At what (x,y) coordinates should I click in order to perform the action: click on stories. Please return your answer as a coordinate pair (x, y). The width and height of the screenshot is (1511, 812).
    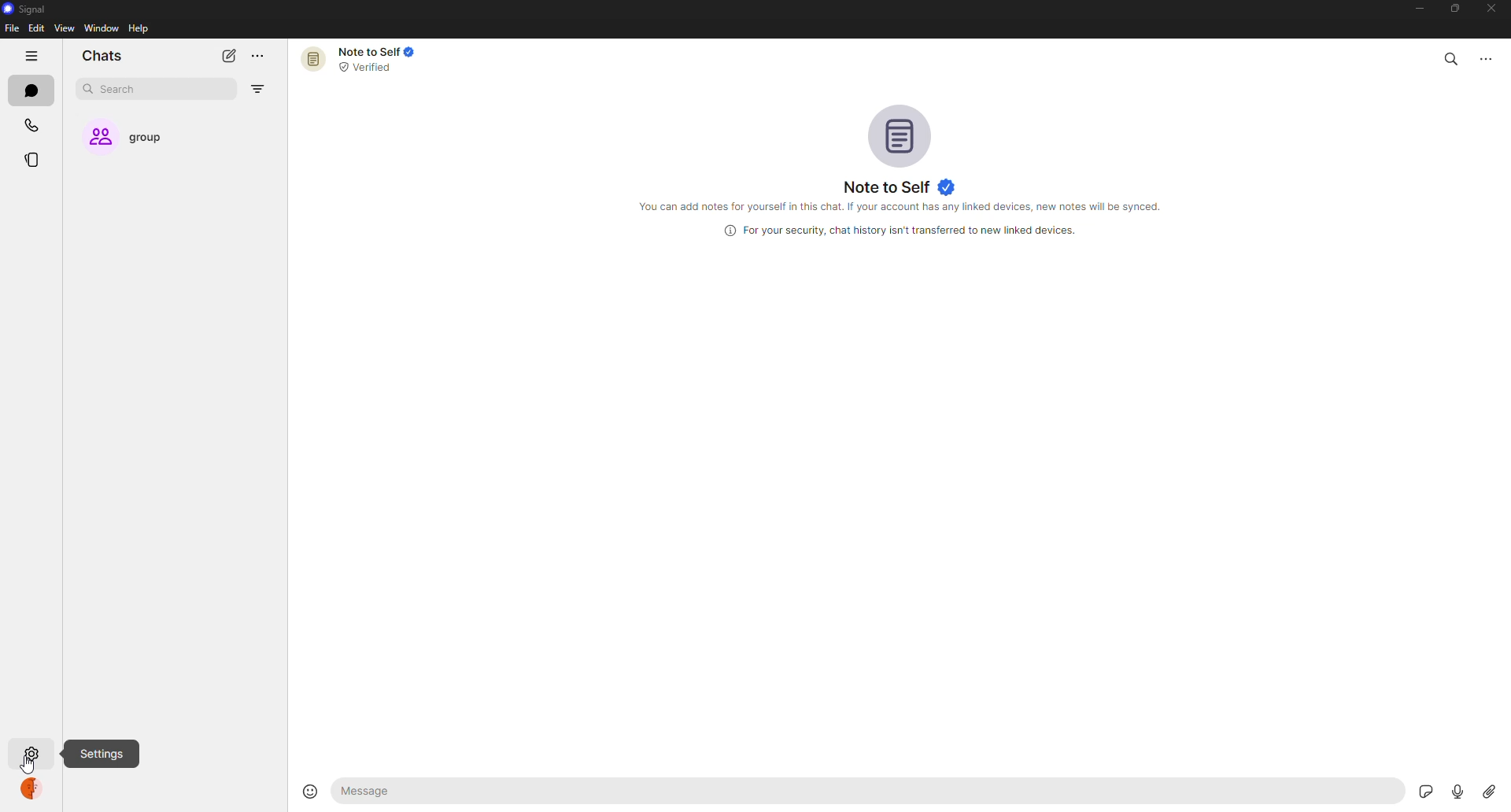
    Looking at the image, I should click on (36, 160).